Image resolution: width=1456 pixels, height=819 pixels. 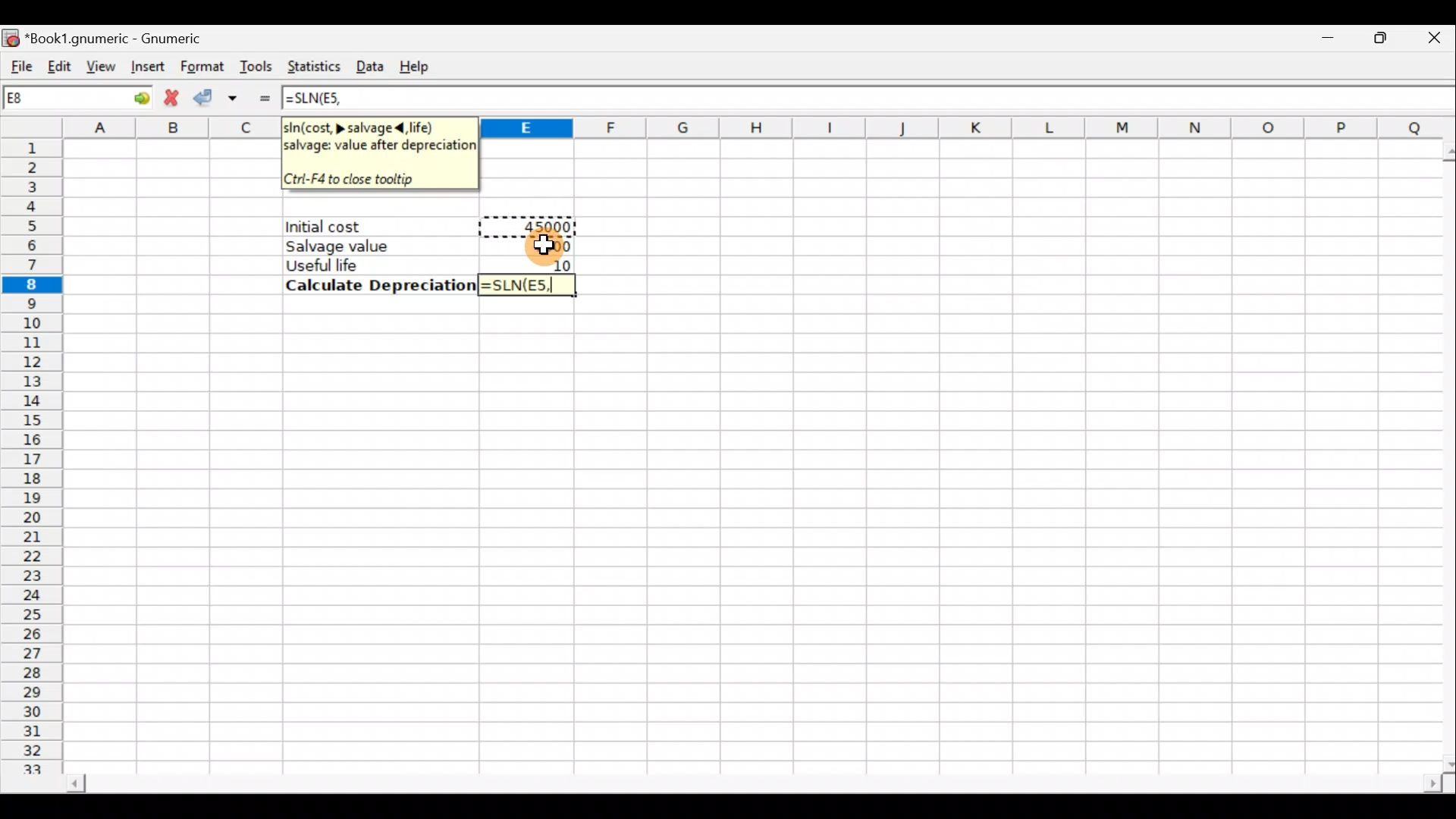 I want to click on Initial cost, so click(x=382, y=227).